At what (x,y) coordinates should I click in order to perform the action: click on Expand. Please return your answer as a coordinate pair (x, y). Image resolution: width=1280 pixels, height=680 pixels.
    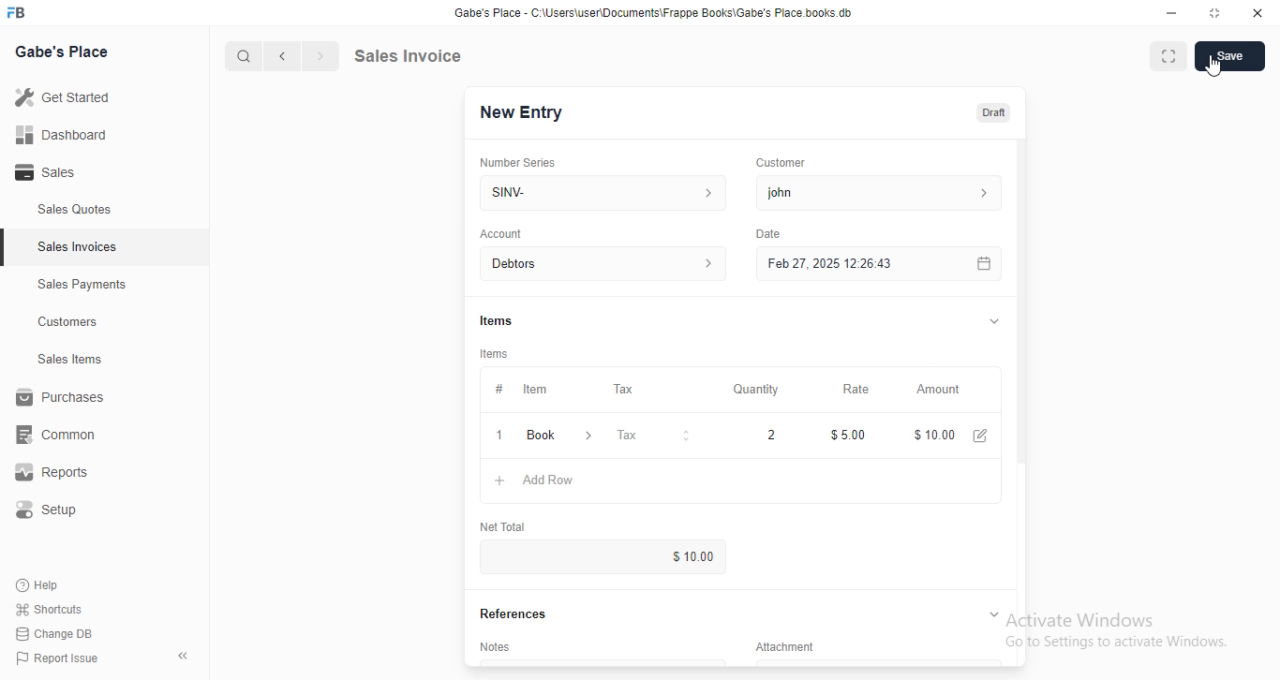
    Looking at the image, I should click on (1168, 56).